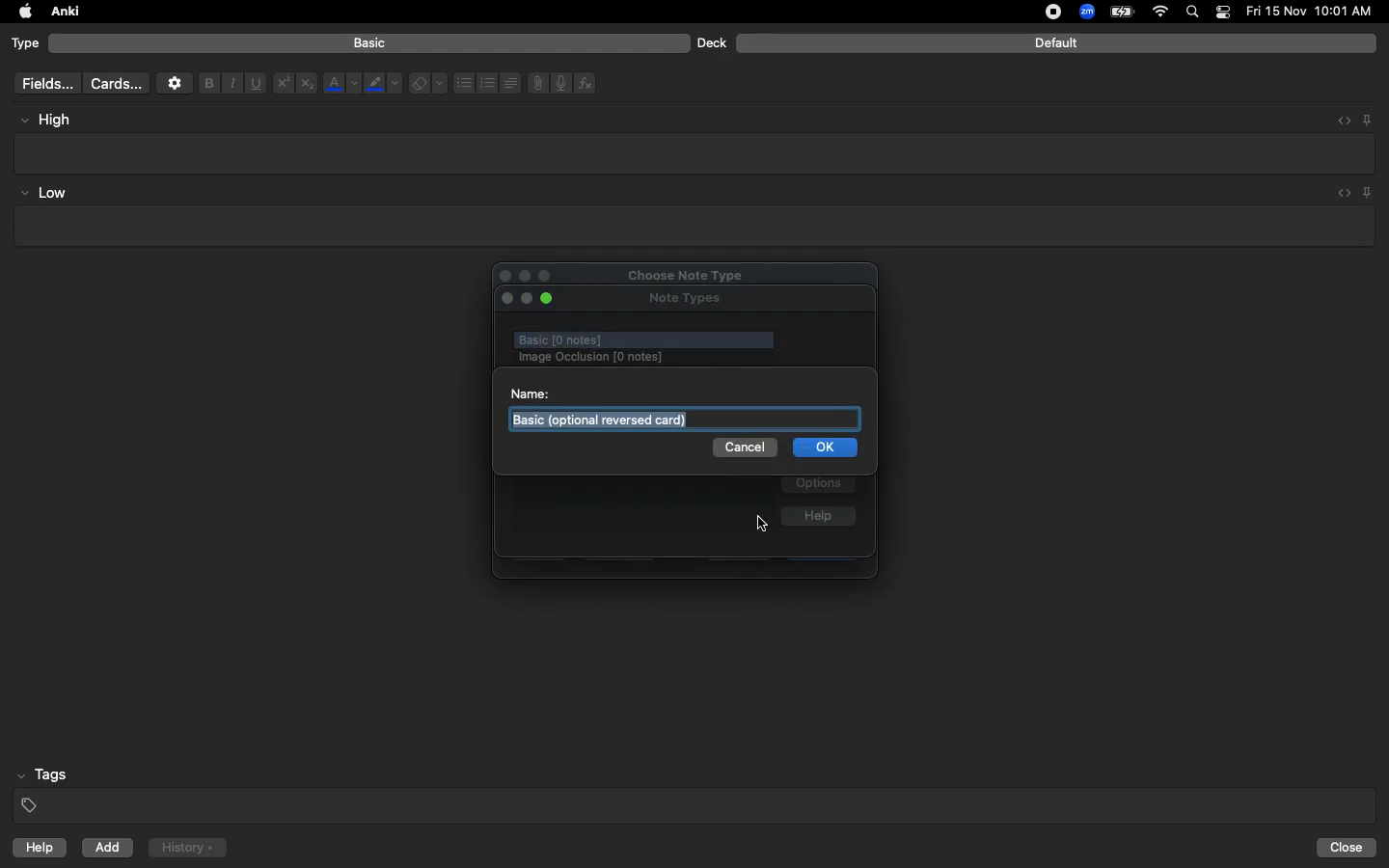 Image resolution: width=1389 pixels, height=868 pixels. Describe the element at coordinates (696, 152) in the screenshot. I see `Textbox` at that location.